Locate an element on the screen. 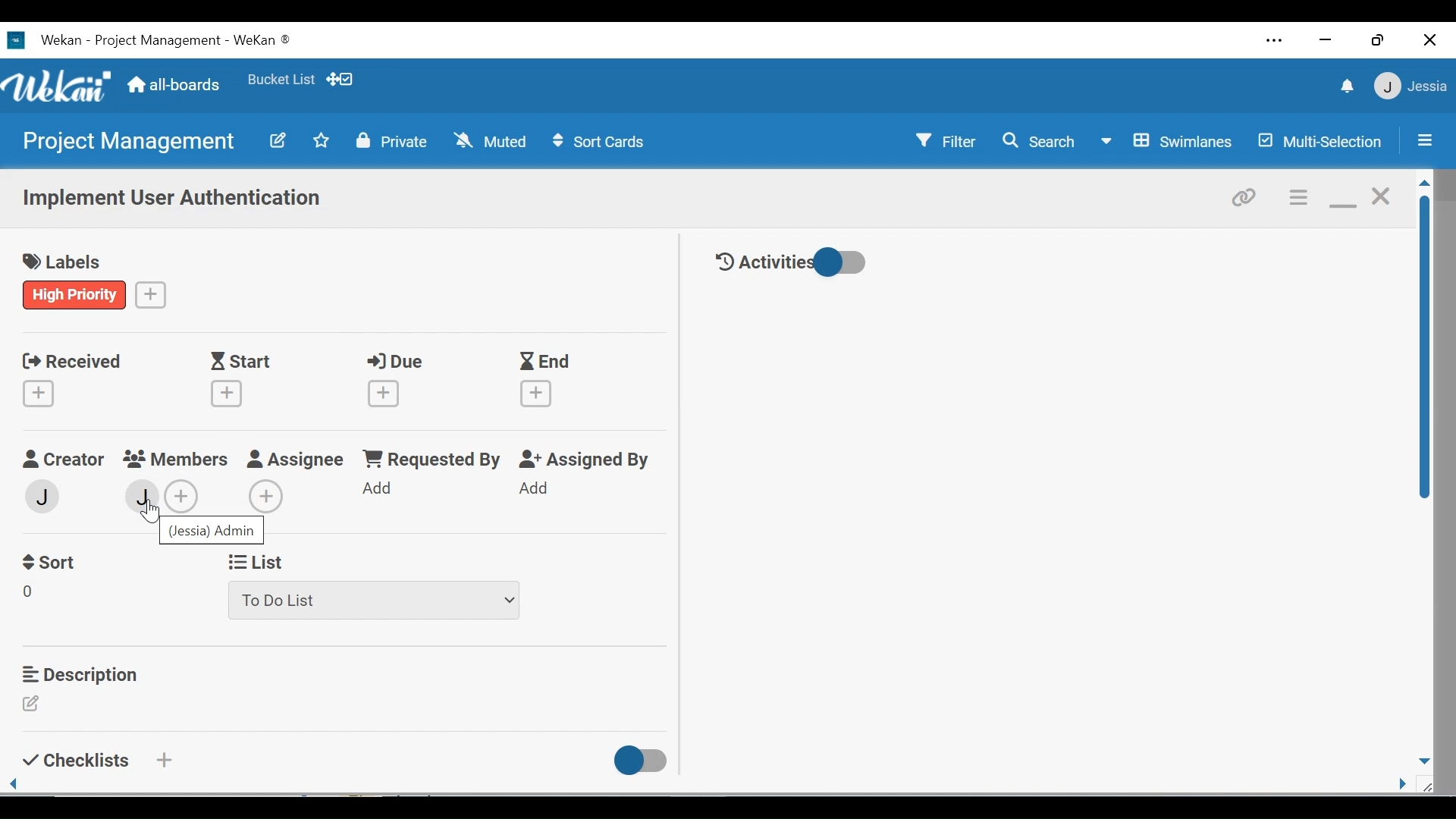 This screenshot has width=1456, height=819. List is located at coordinates (260, 560).